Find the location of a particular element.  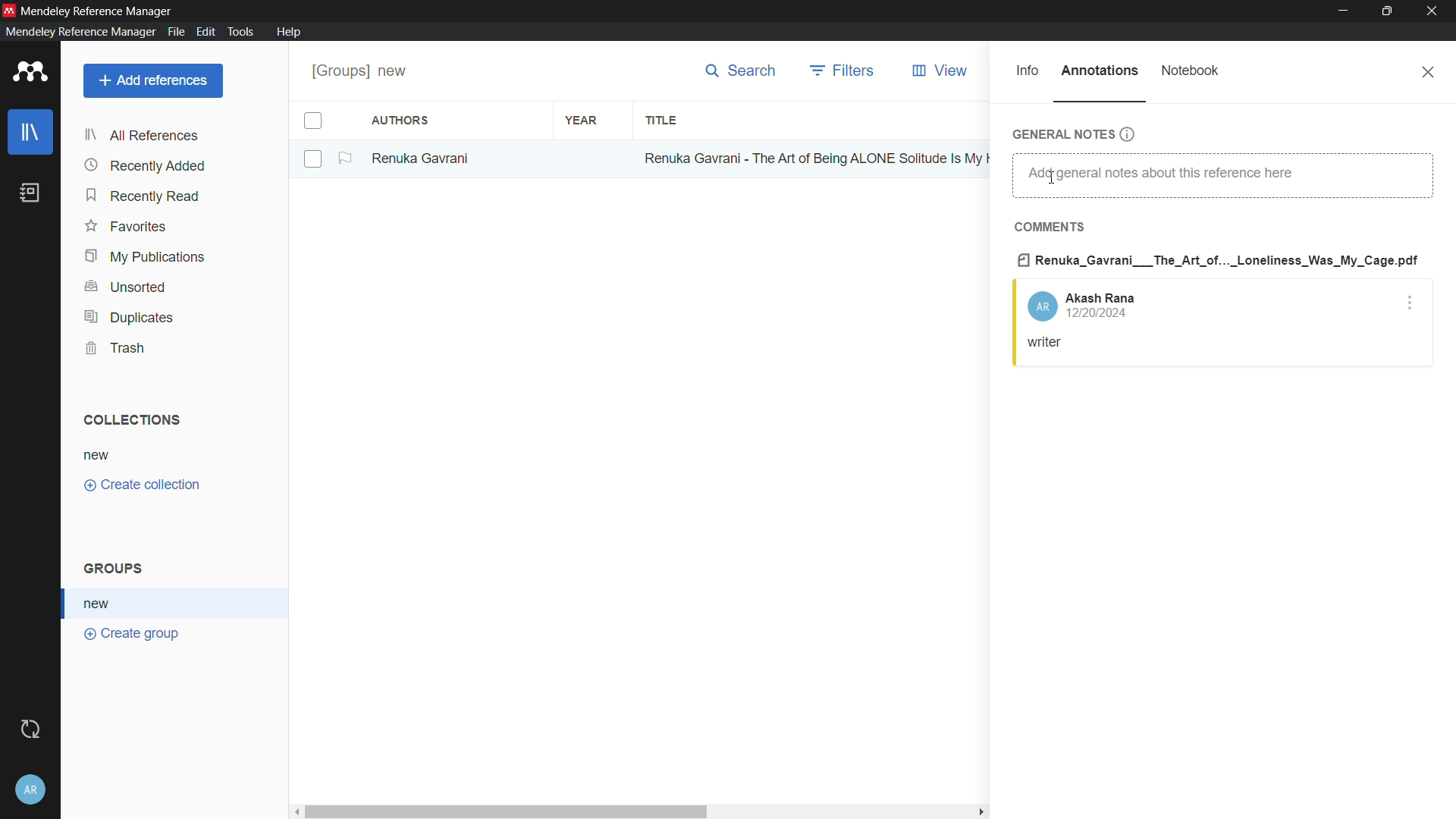

display picture is located at coordinates (1041, 307).